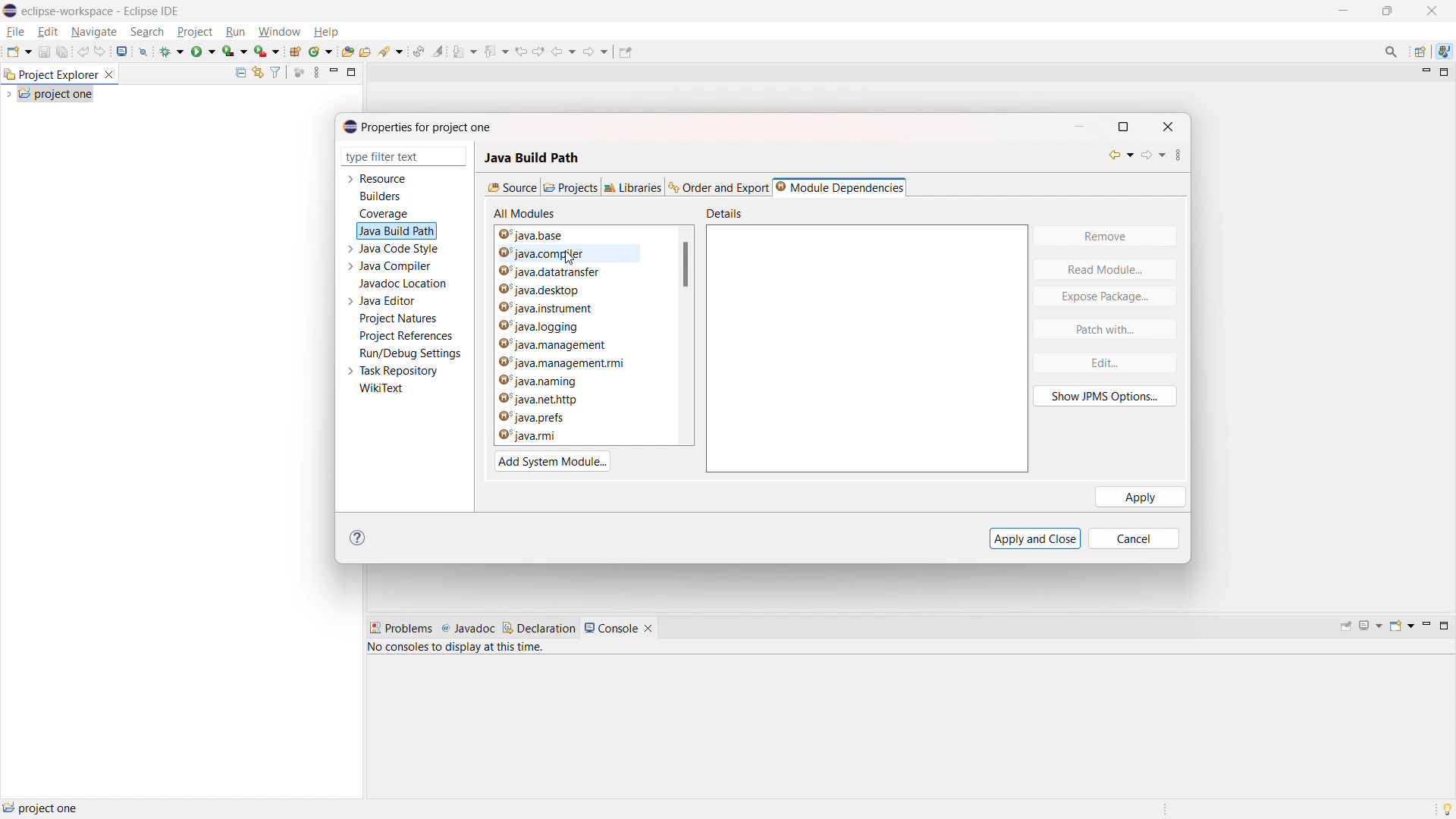 The height and width of the screenshot is (819, 1456). What do you see at coordinates (396, 231) in the screenshot?
I see `java build path selected` at bounding box center [396, 231].